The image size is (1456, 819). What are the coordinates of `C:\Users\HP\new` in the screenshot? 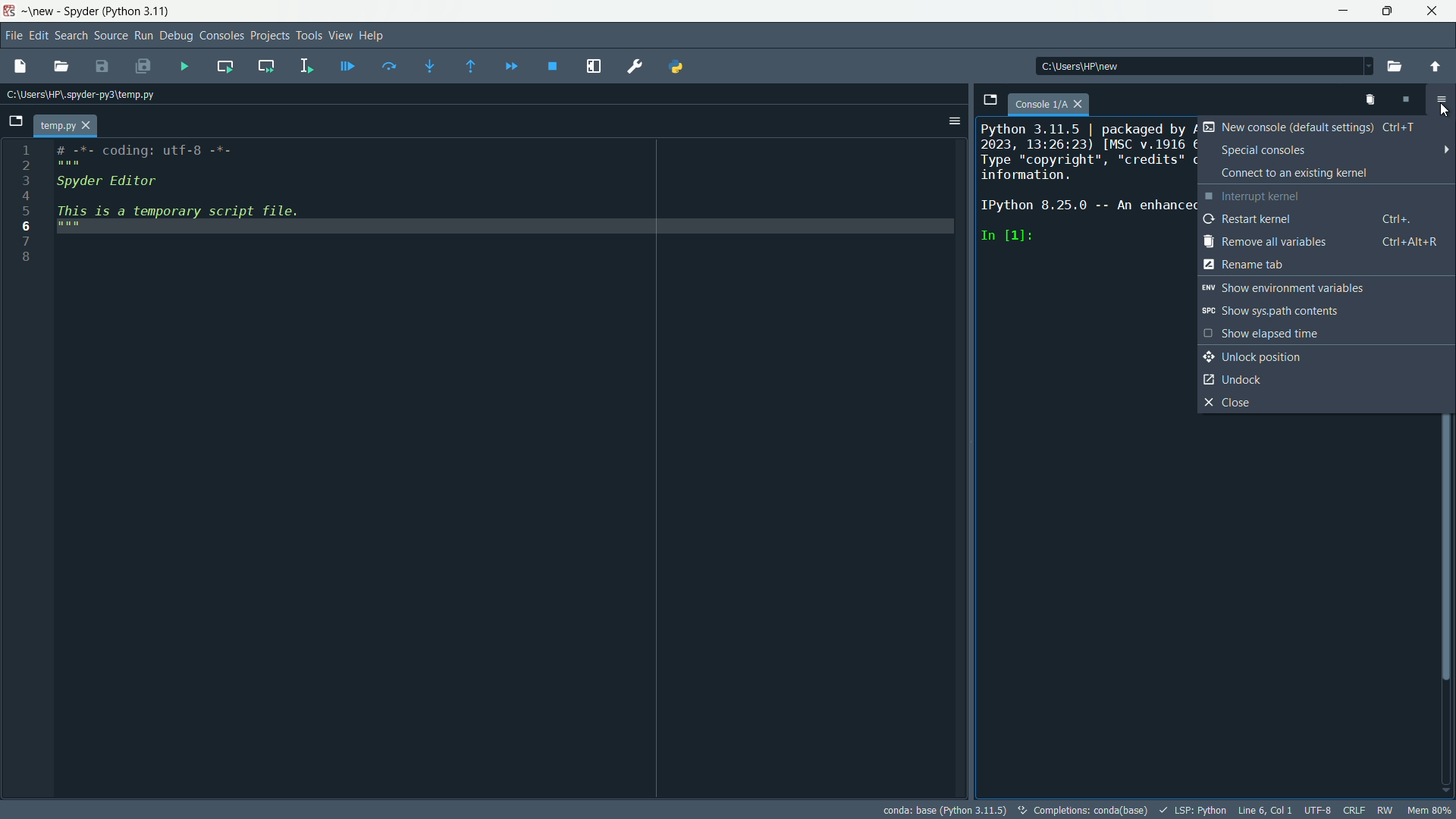 It's located at (1109, 67).